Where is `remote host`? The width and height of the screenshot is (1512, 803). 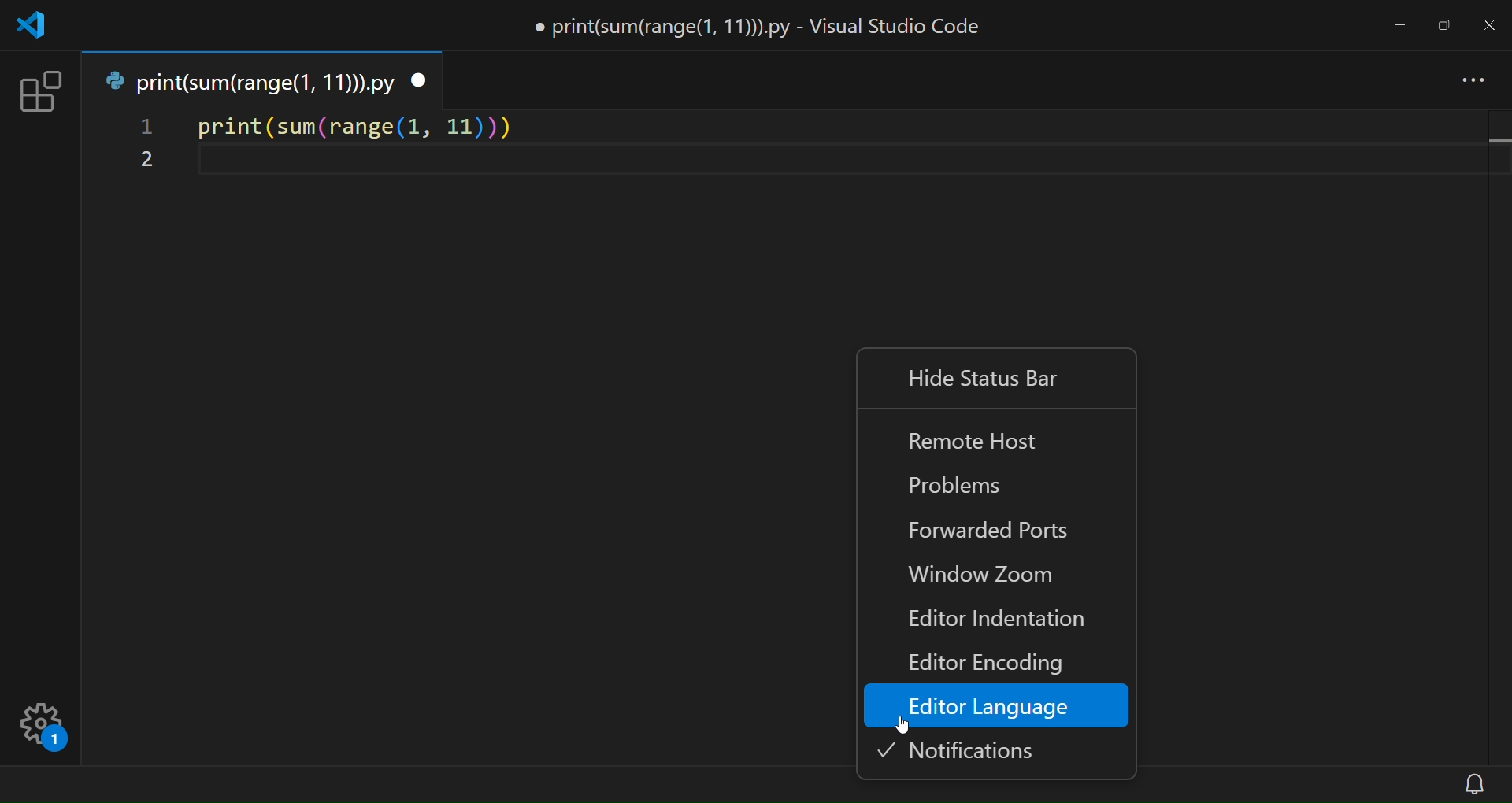
remote host is located at coordinates (982, 437).